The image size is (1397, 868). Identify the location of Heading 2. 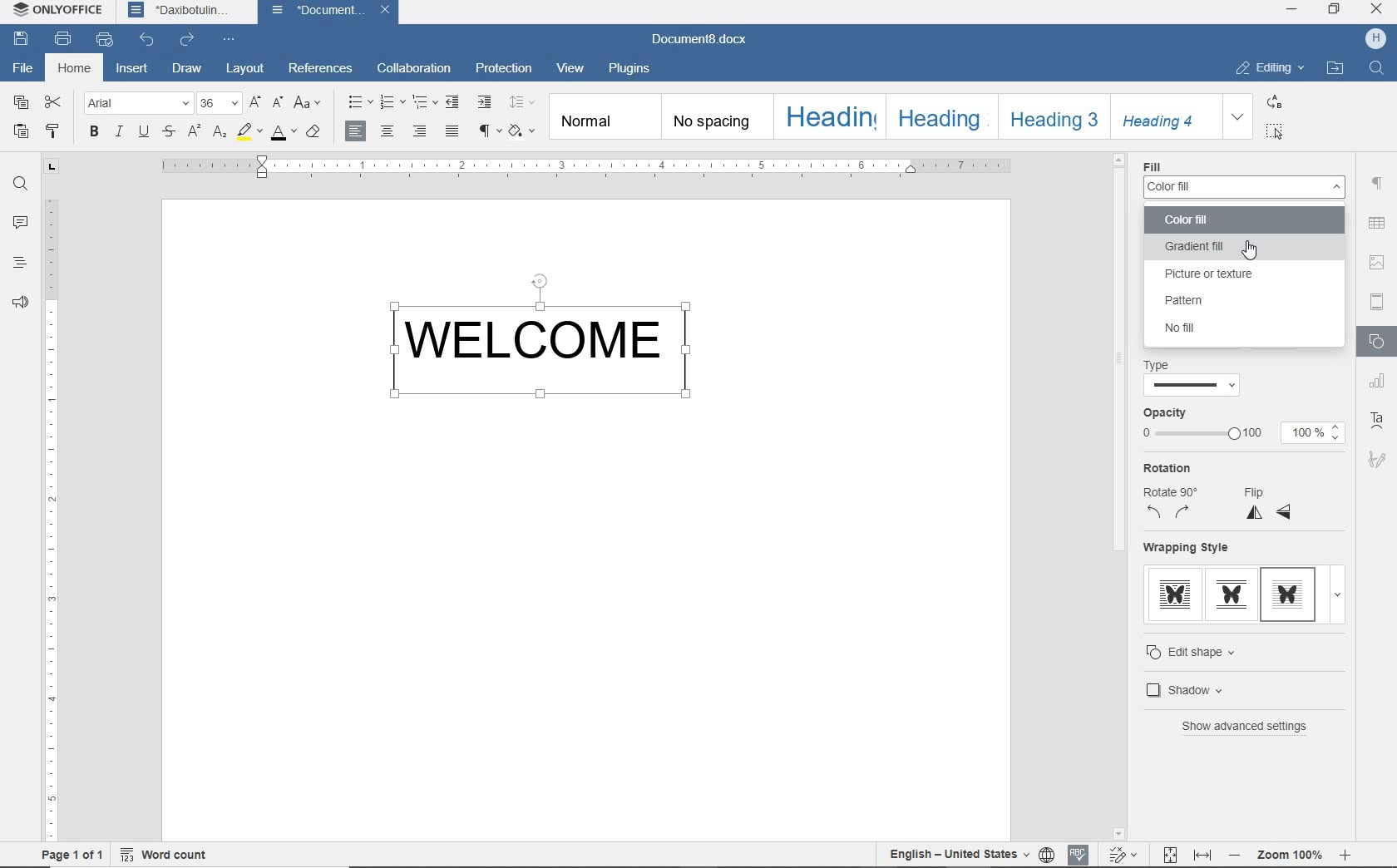
(942, 116).